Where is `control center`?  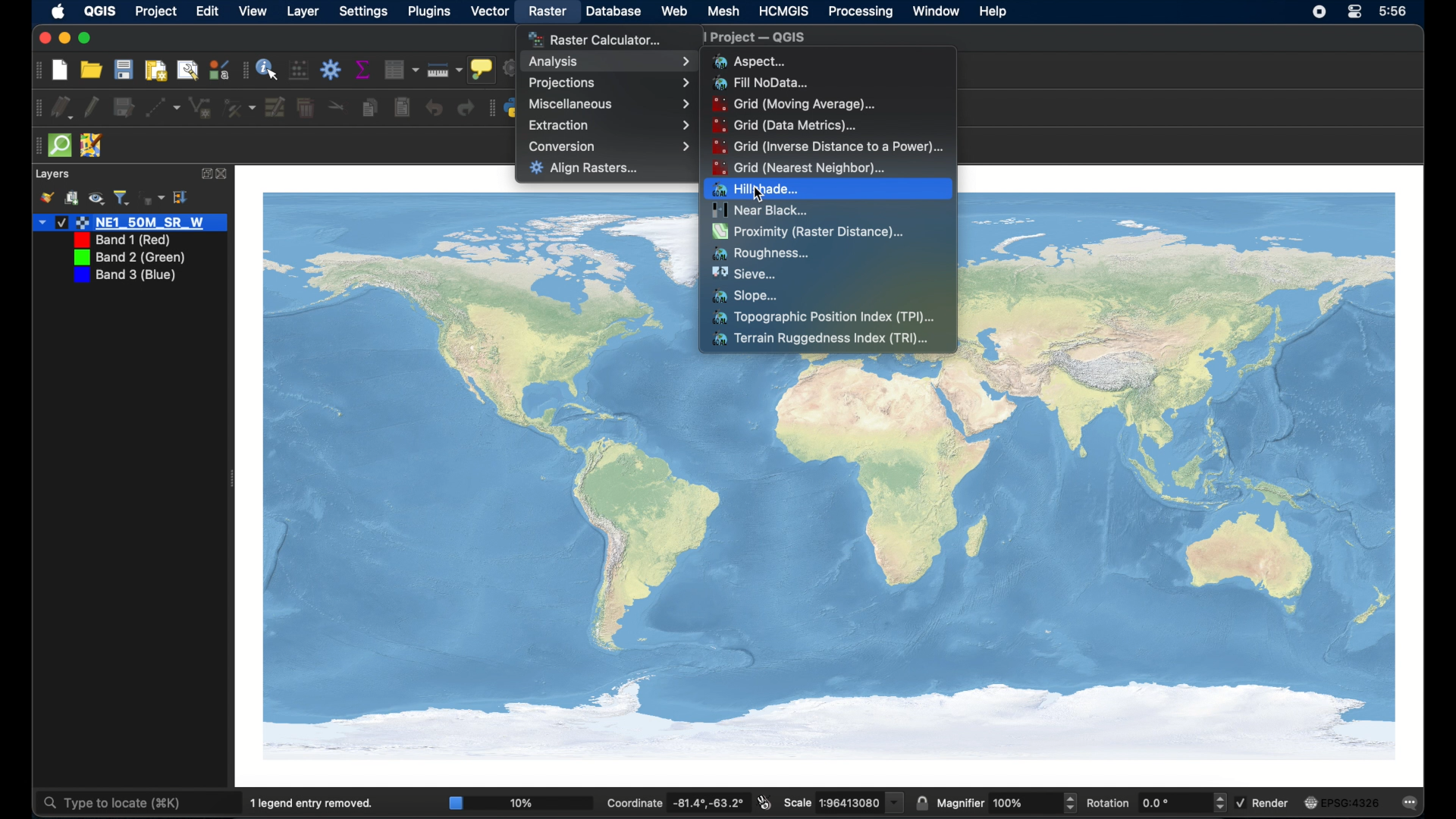 control center is located at coordinates (1356, 13).